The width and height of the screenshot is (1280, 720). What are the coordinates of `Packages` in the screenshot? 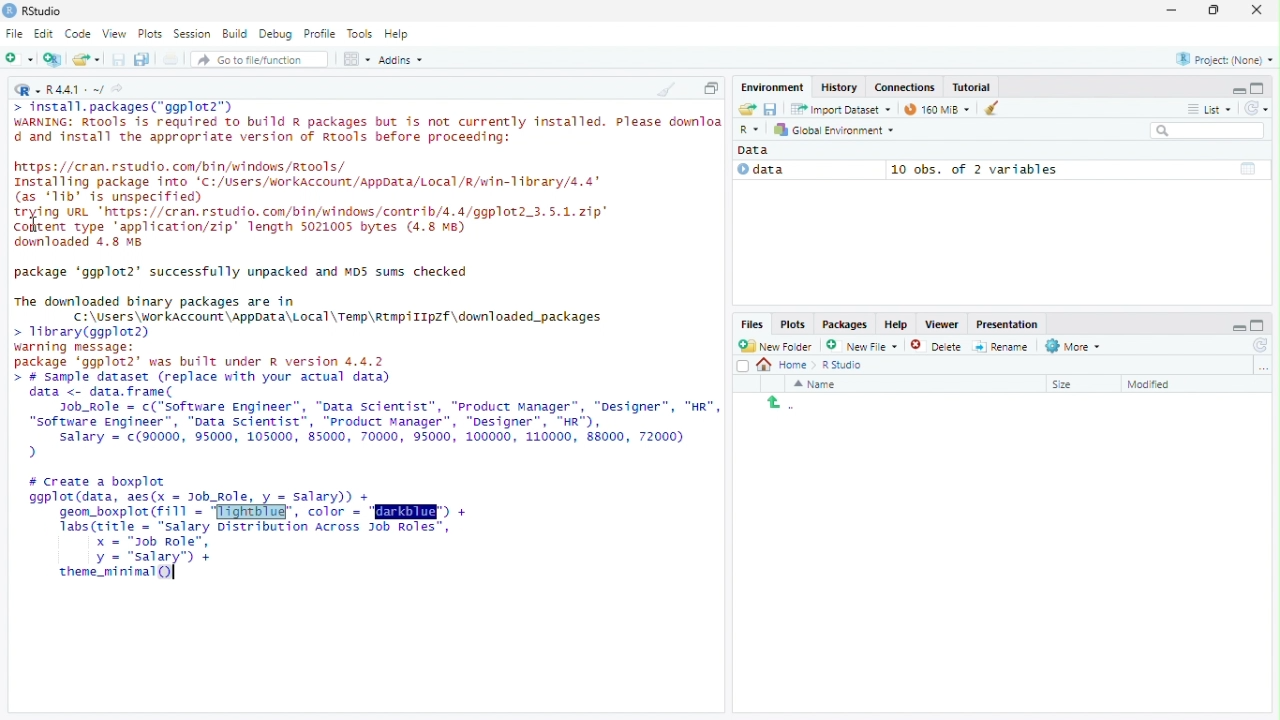 It's located at (845, 324).